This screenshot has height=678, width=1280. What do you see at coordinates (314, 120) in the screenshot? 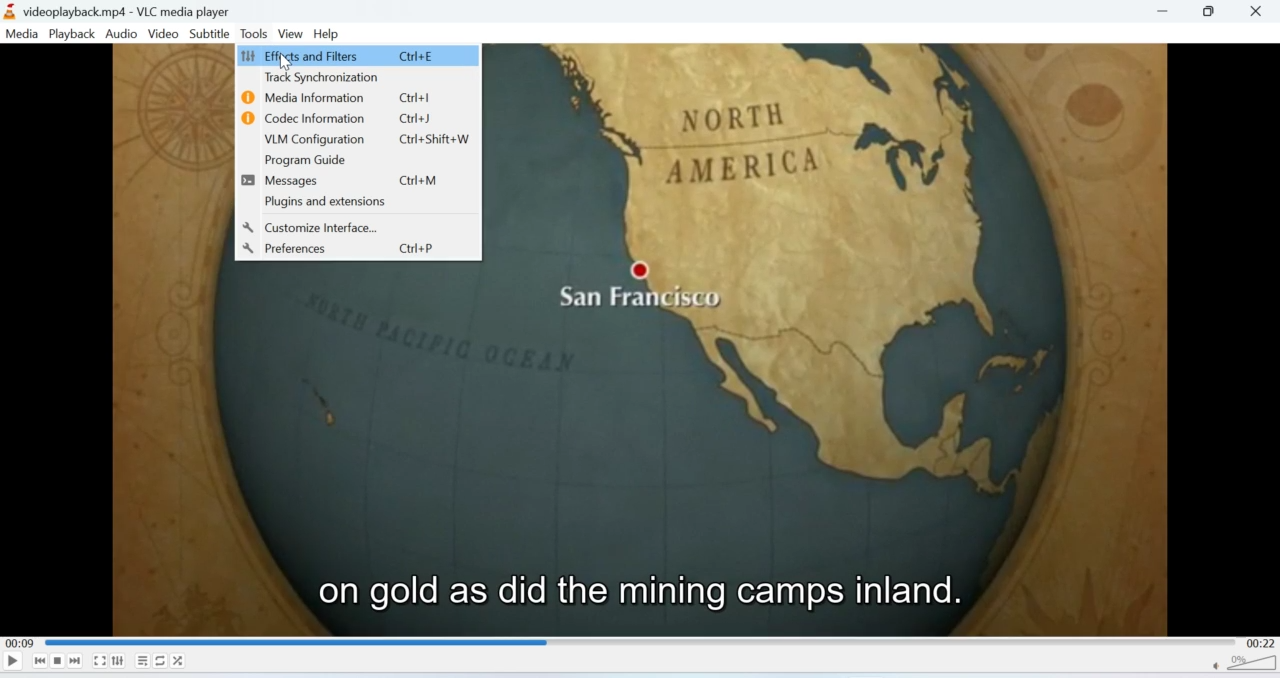
I see `Codec Information` at bounding box center [314, 120].